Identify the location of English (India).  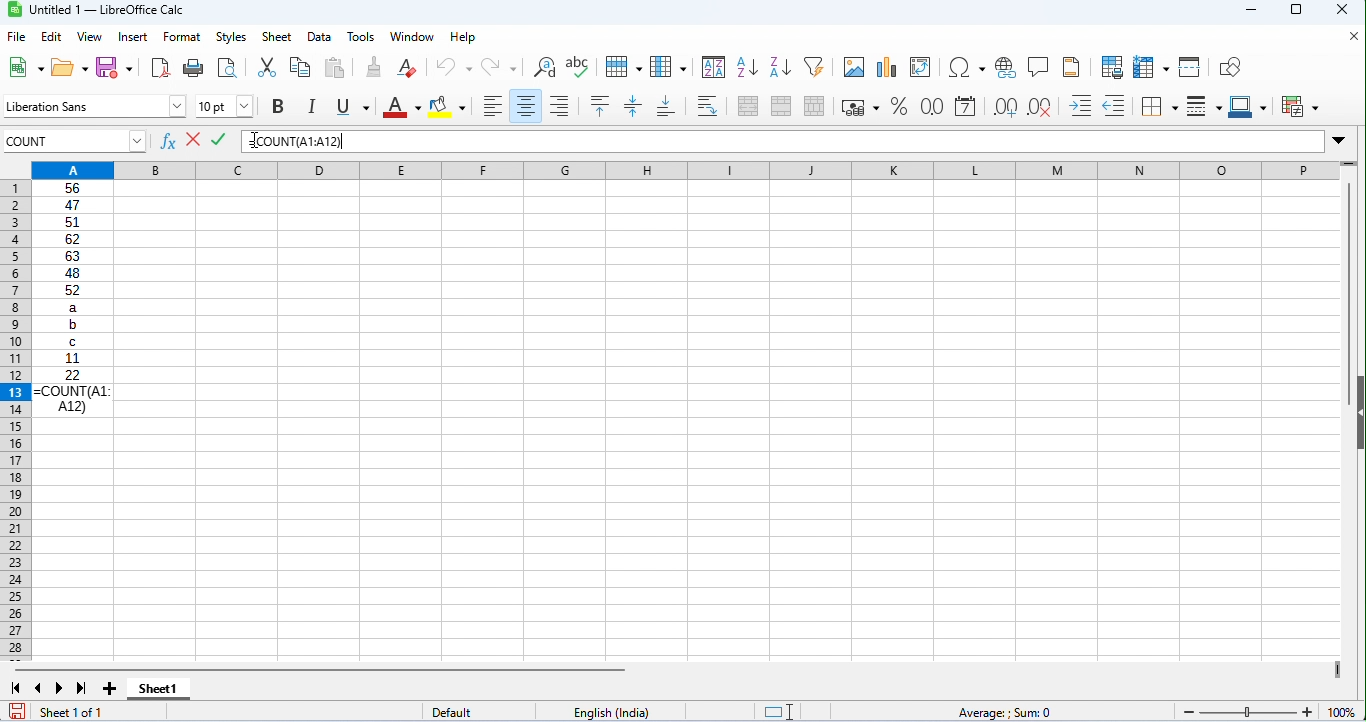
(611, 712).